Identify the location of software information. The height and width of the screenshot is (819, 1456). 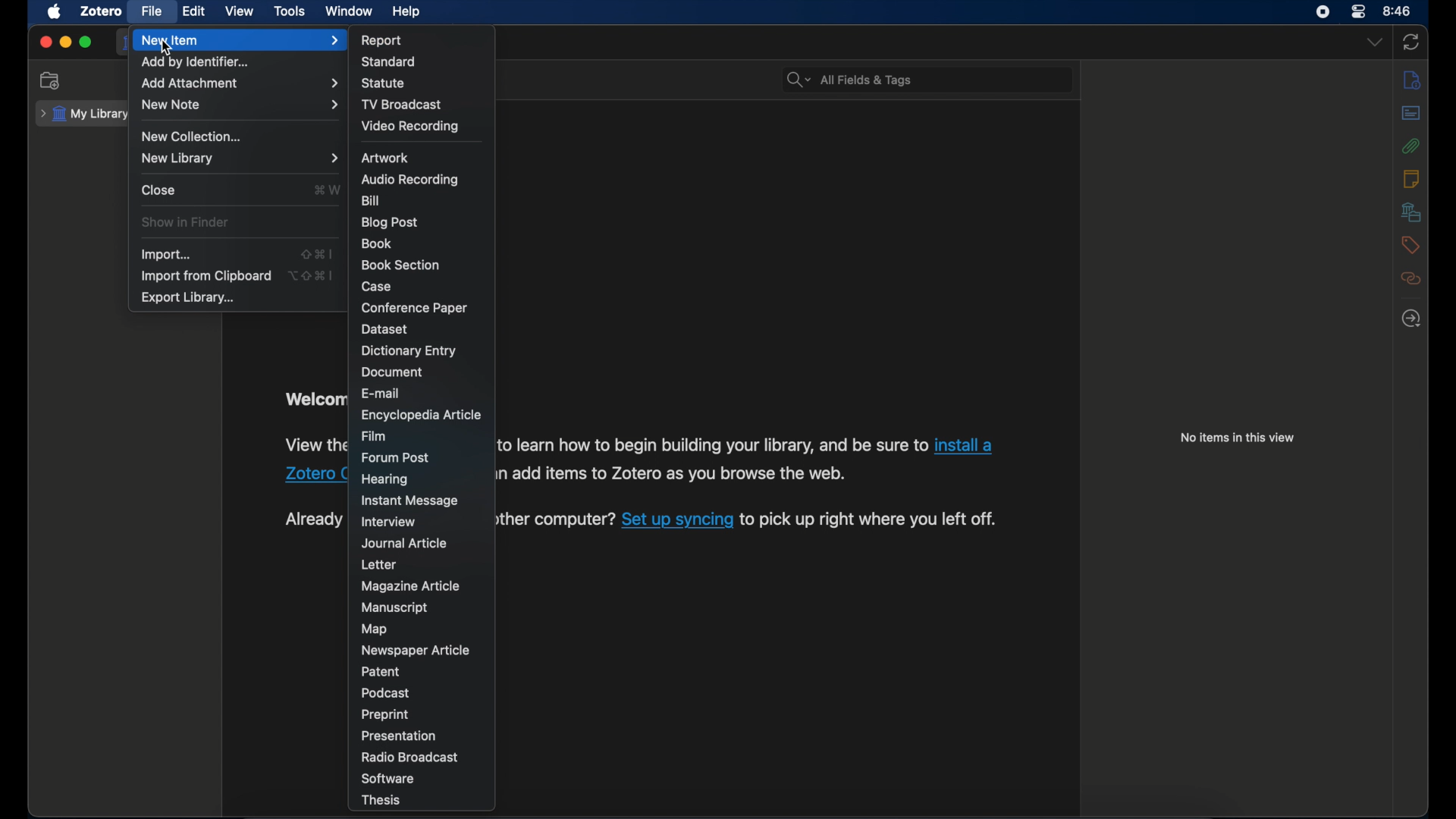
(557, 521).